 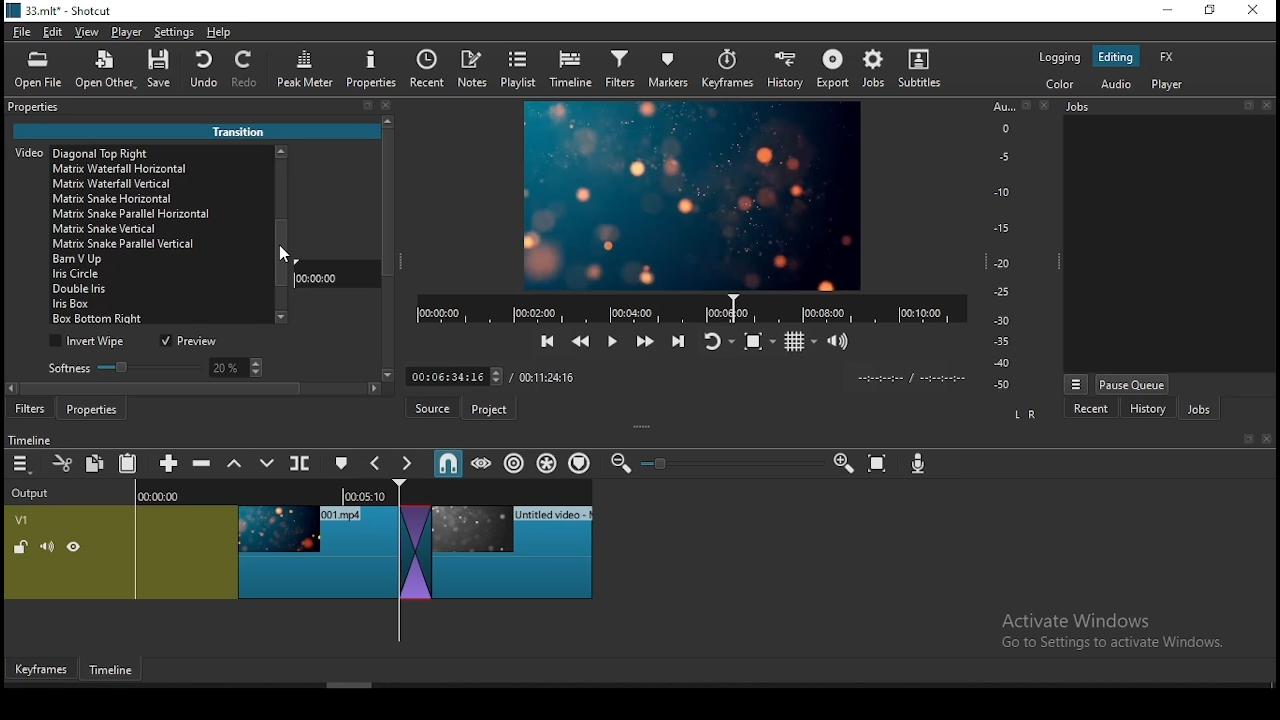 I want to click on transition option, so click(x=160, y=319).